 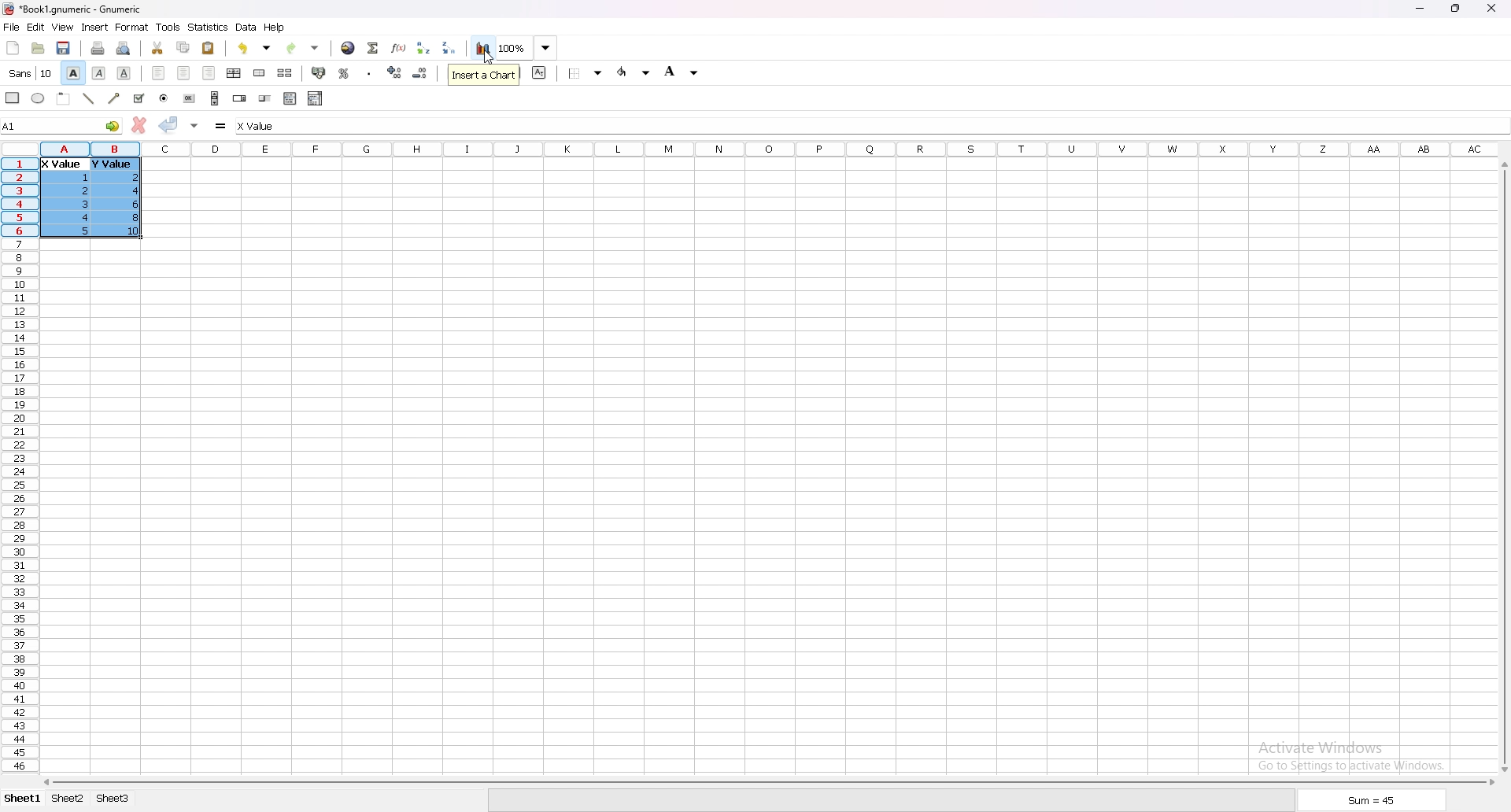 I want to click on minimize, so click(x=1420, y=9).